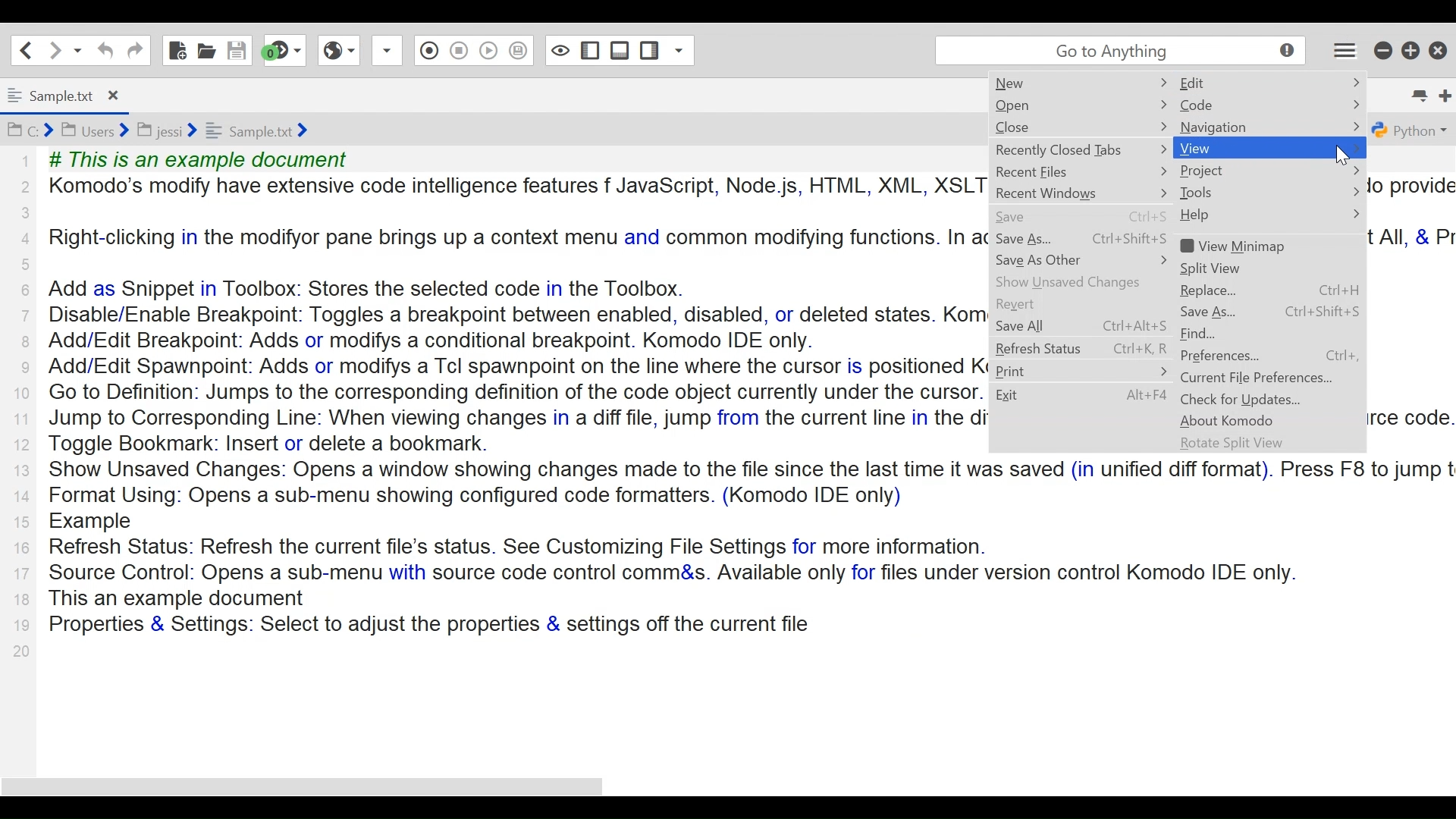 This screenshot has width=1456, height=819. I want to click on Project, so click(1210, 171).